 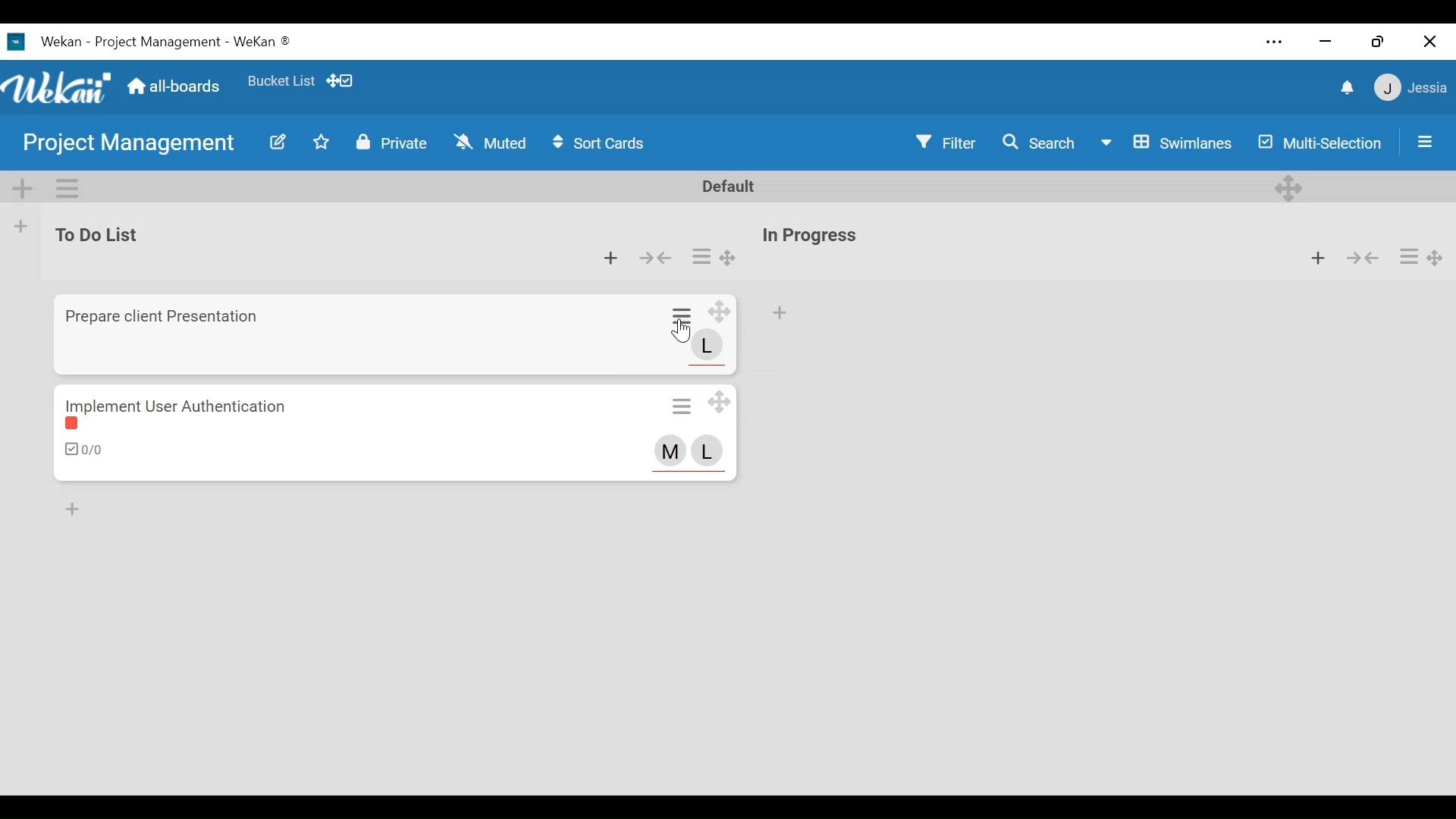 I want to click on Muted, so click(x=488, y=142).